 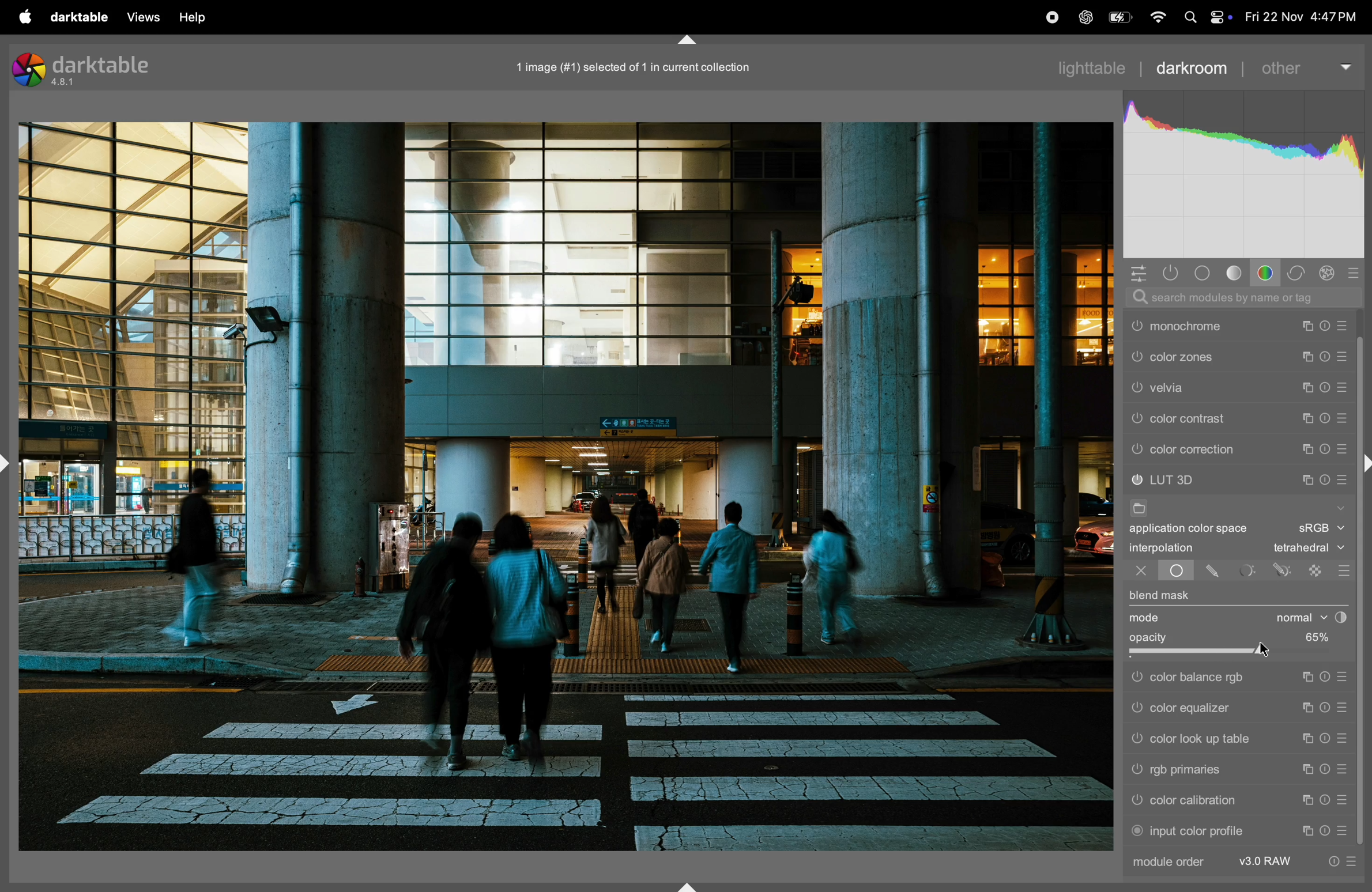 What do you see at coordinates (1204, 769) in the screenshot?
I see `rgb primaries` at bounding box center [1204, 769].